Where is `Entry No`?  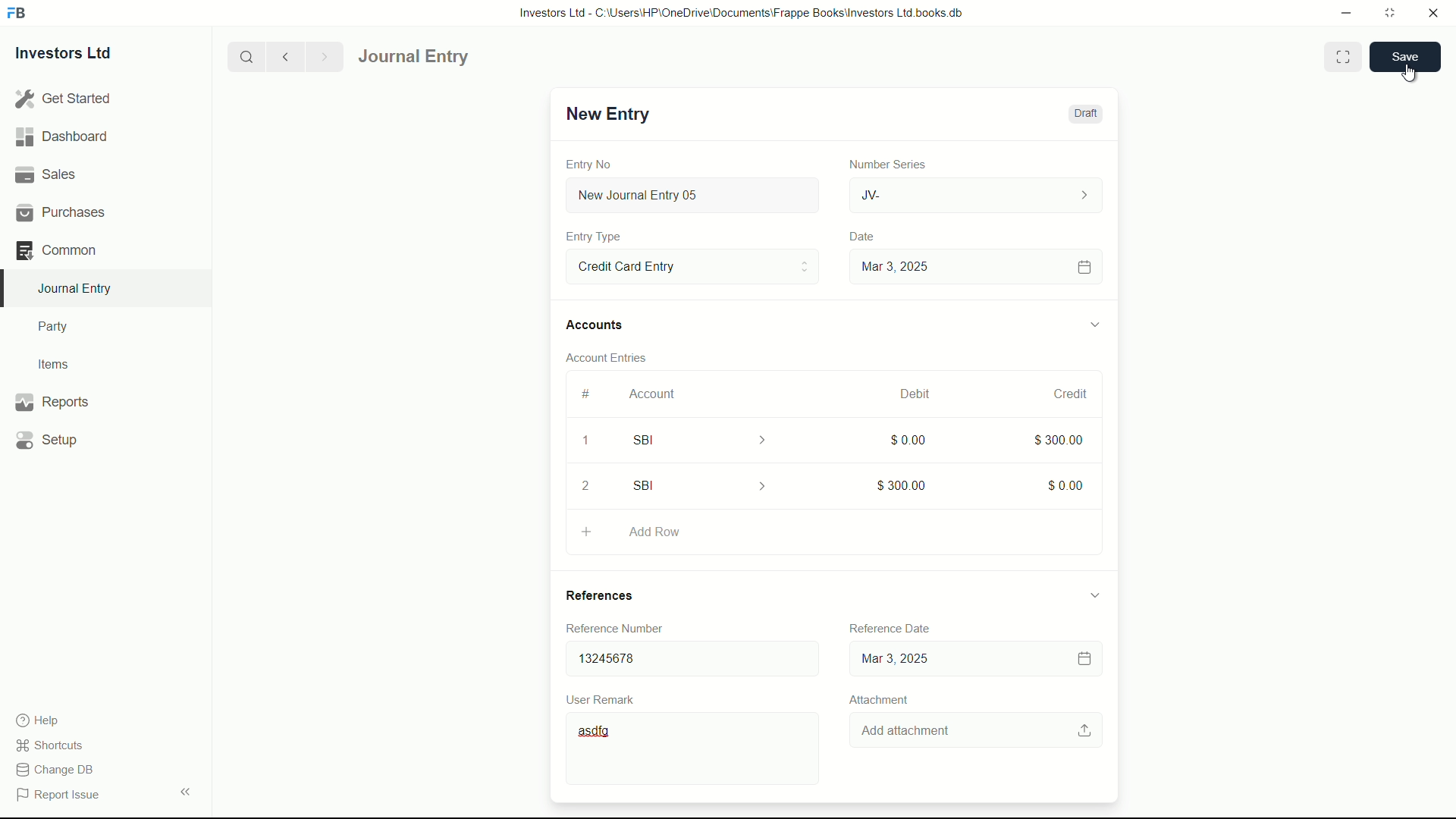 Entry No is located at coordinates (591, 162).